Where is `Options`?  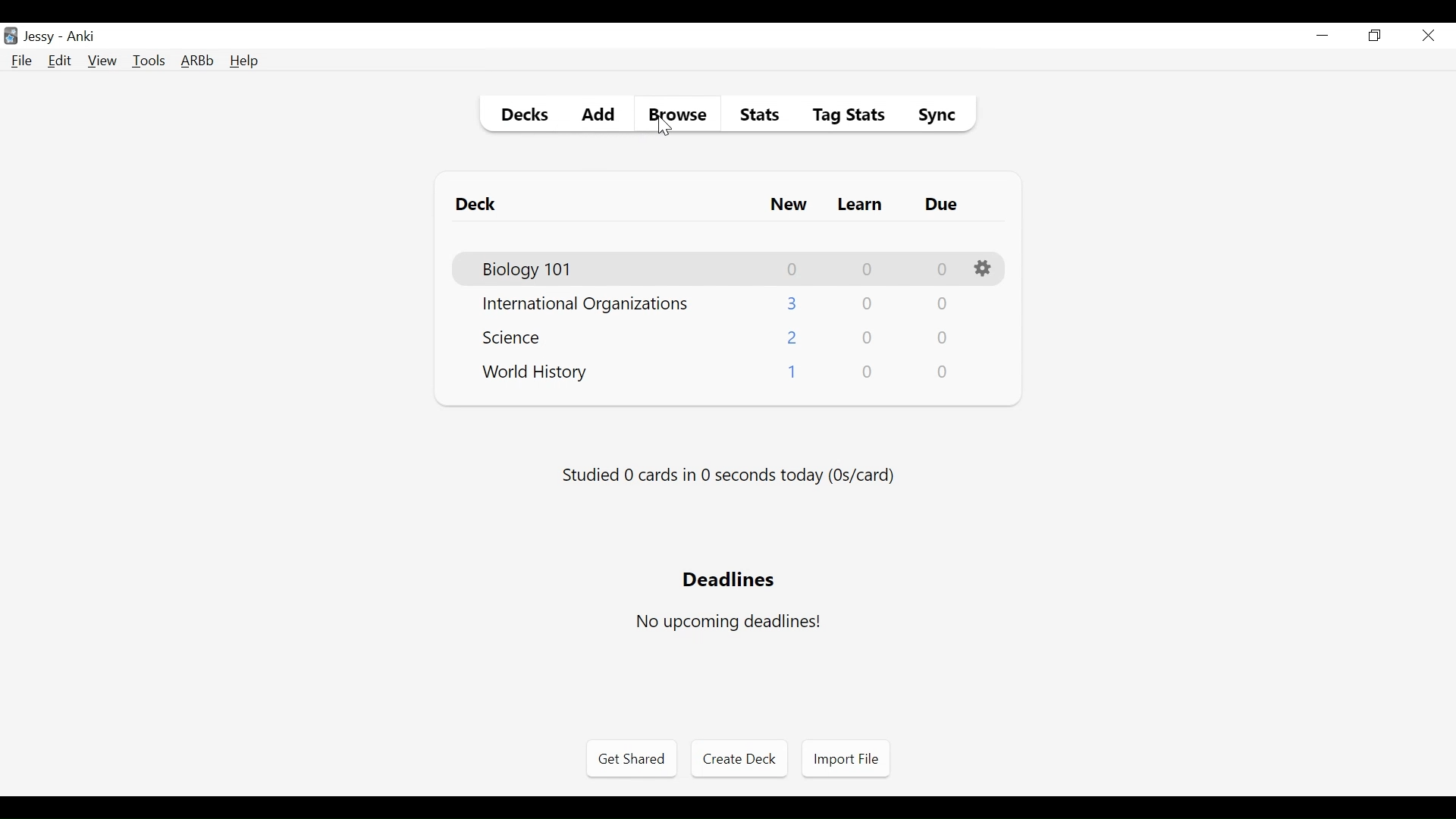
Options is located at coordinates (985, 269).